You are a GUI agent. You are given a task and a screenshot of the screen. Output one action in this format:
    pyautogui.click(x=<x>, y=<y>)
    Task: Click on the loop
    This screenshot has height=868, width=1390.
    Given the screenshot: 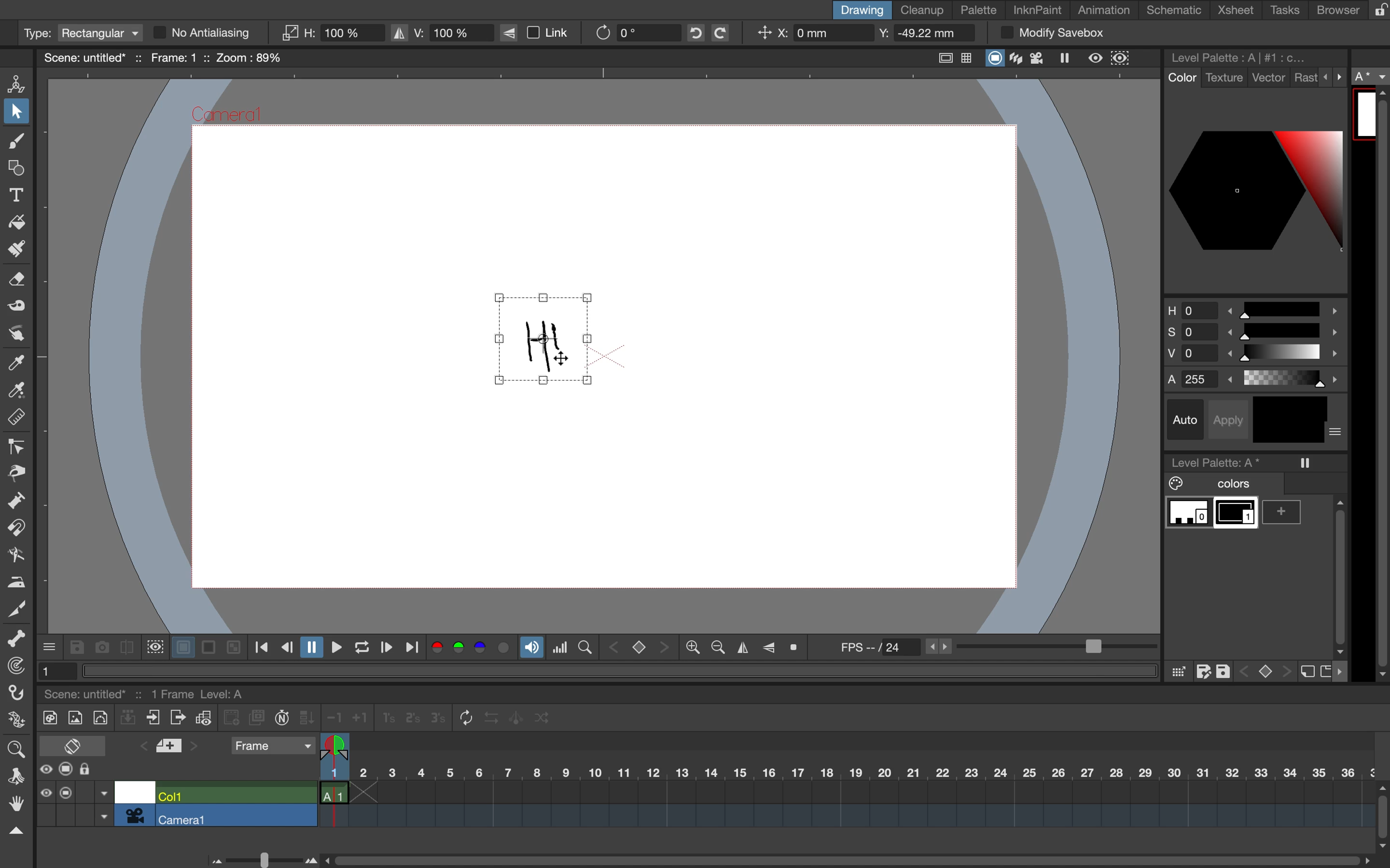 What is the action you would take?
    pyautogui.click(x=357, y=648)
    